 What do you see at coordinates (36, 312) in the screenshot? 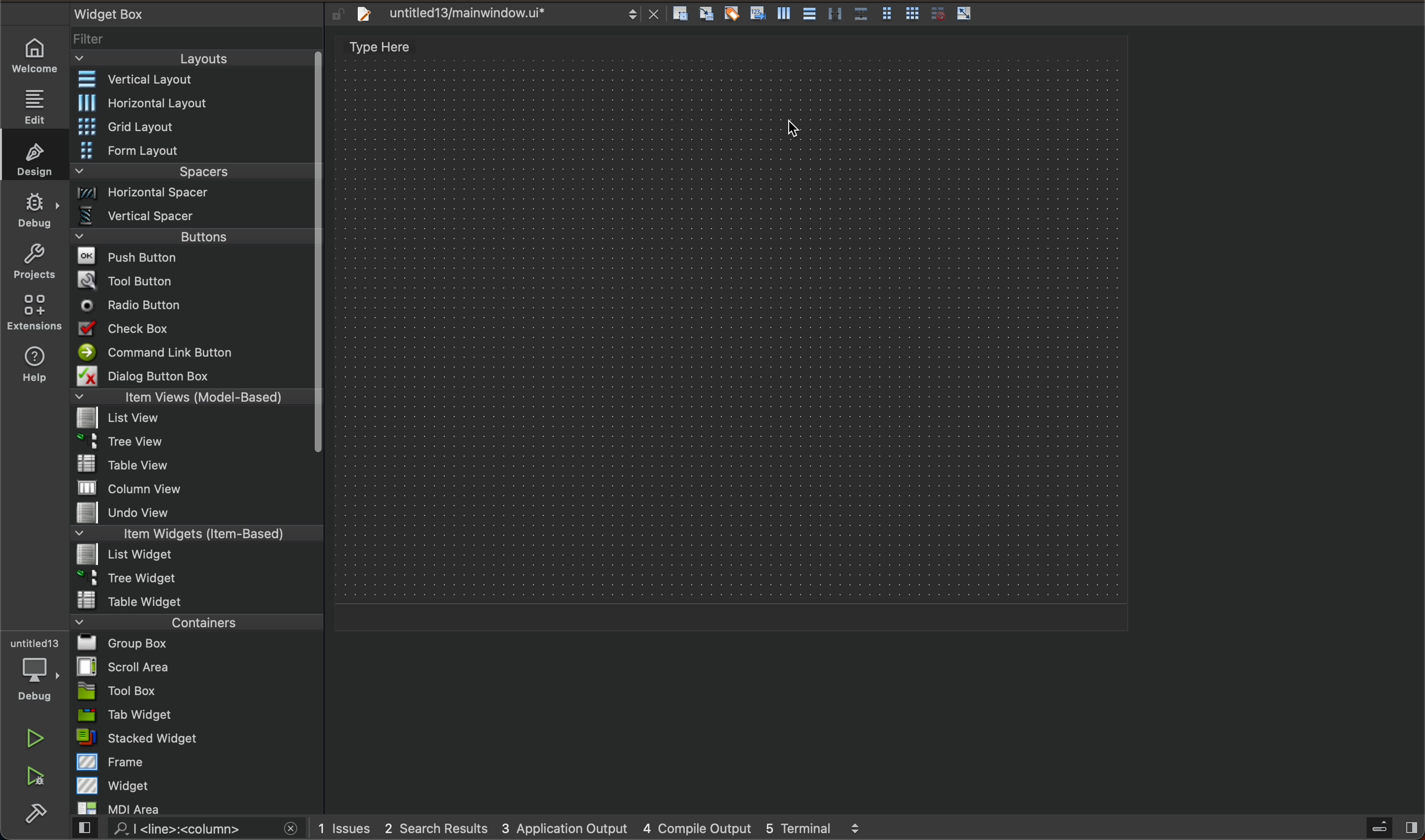
I see `extensions` at bounding box center [36, 312].